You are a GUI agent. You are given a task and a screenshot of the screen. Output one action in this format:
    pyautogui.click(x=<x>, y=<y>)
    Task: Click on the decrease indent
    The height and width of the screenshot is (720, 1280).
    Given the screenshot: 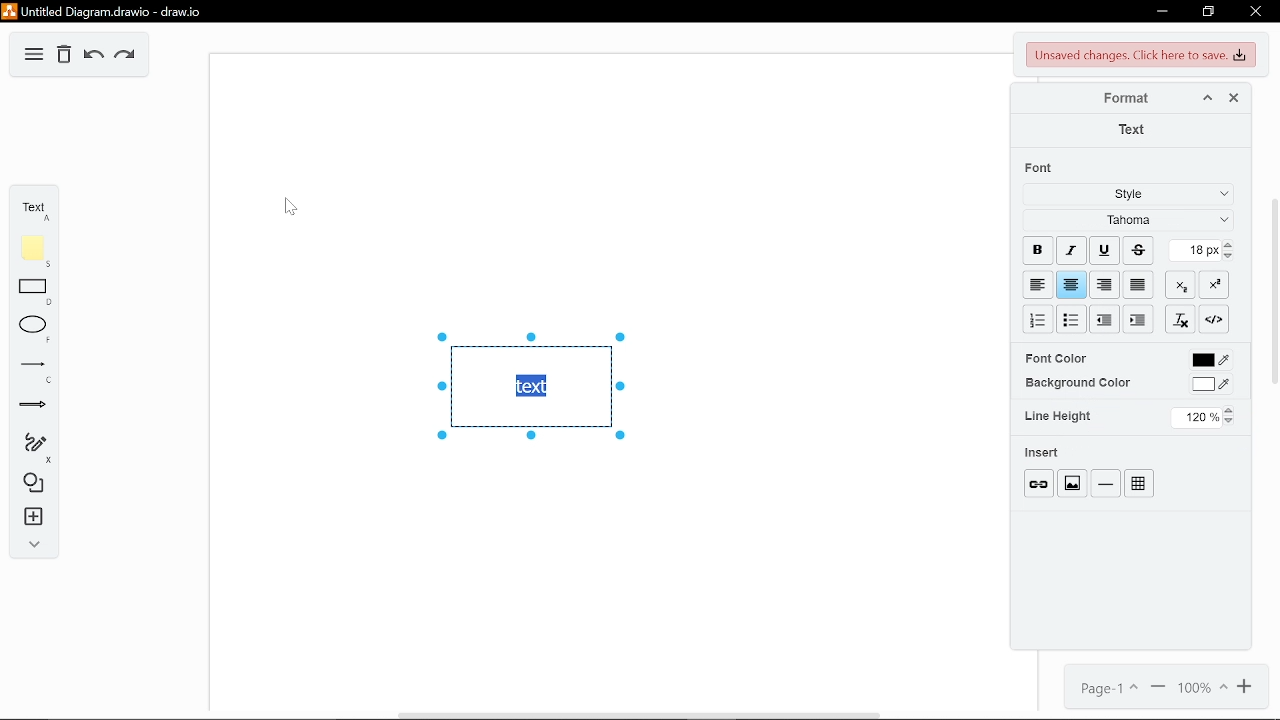 What is the action you would take?
    pyautogui.click(x=1138, y=320)
    